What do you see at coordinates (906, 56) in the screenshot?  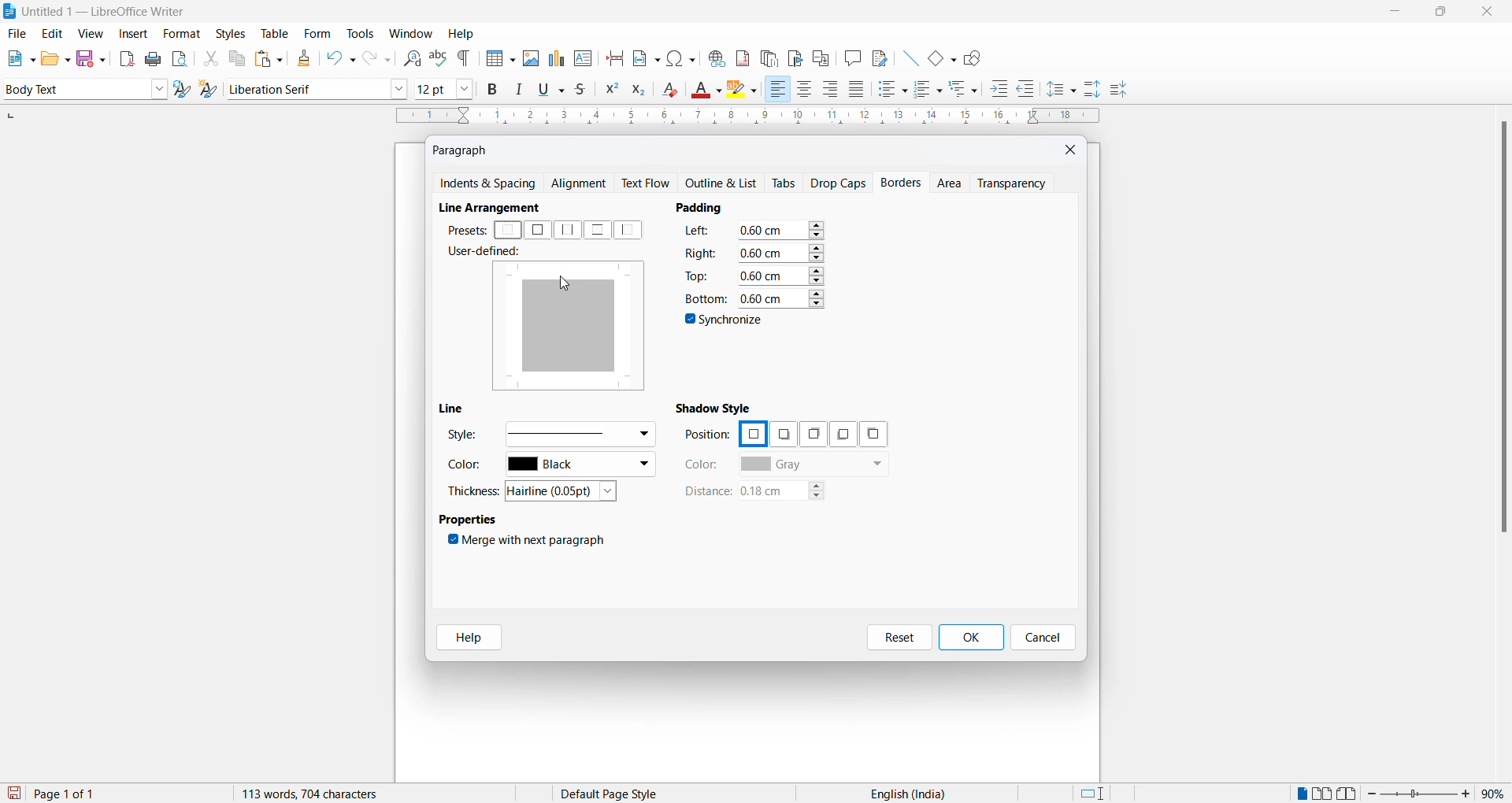 I see `line` at bounding box center [906, 56].